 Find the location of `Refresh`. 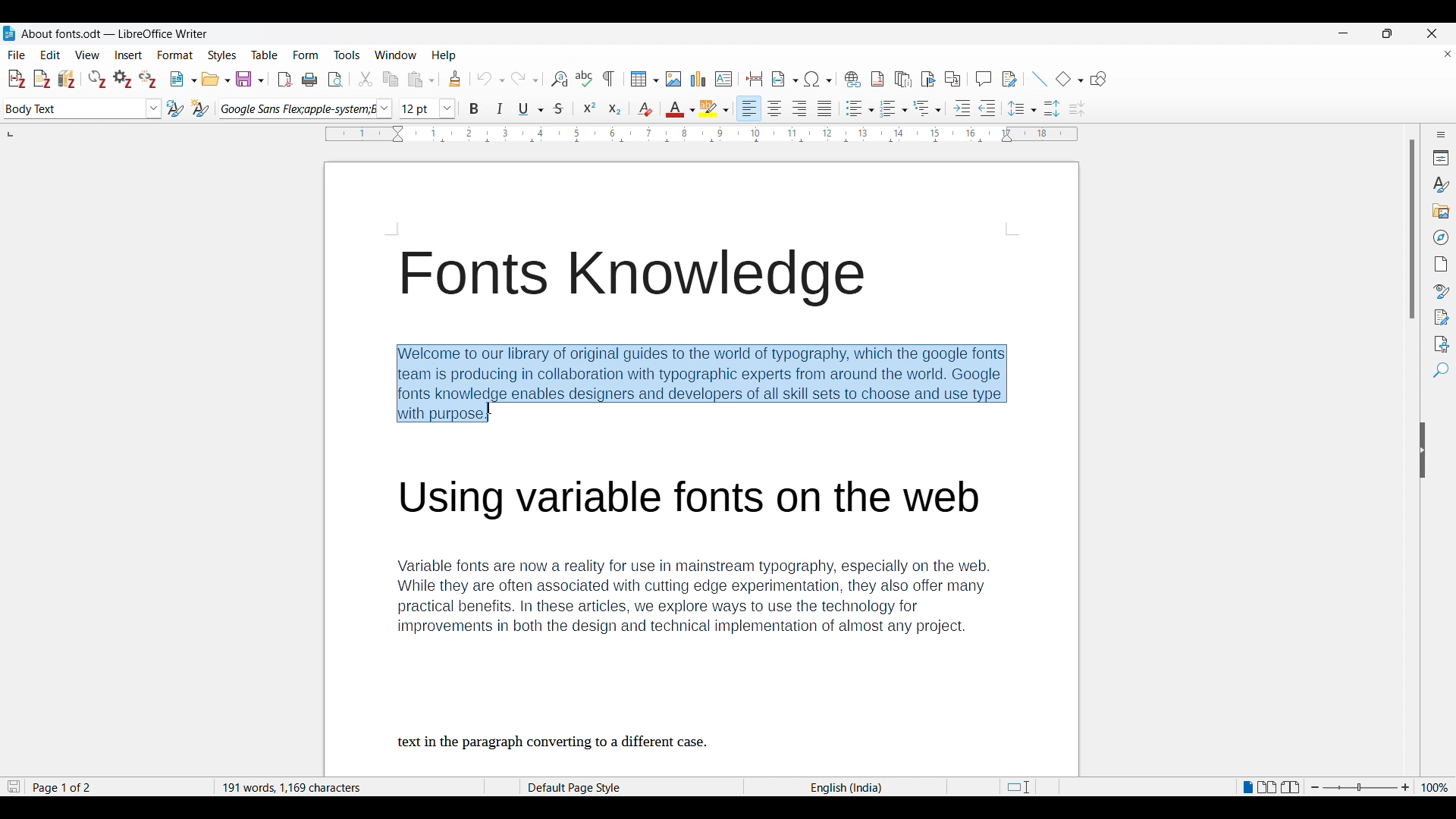

Refresh is located at coordinates (97, 79).